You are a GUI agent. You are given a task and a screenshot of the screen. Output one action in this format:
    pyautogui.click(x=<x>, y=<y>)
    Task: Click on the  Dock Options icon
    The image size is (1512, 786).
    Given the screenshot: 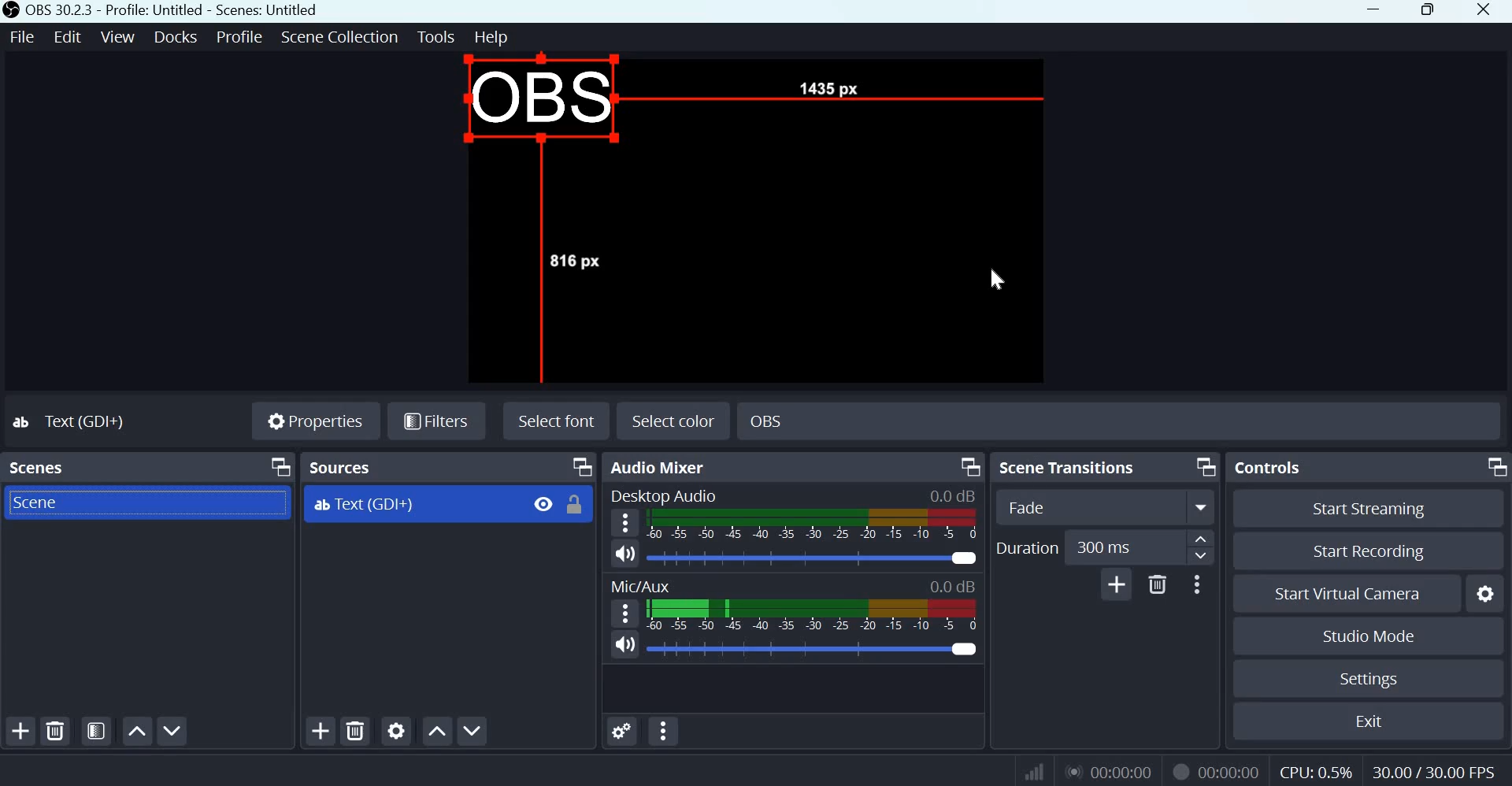 What is the action you would take?
    pyautogui.click(x=1493, y=466)
    